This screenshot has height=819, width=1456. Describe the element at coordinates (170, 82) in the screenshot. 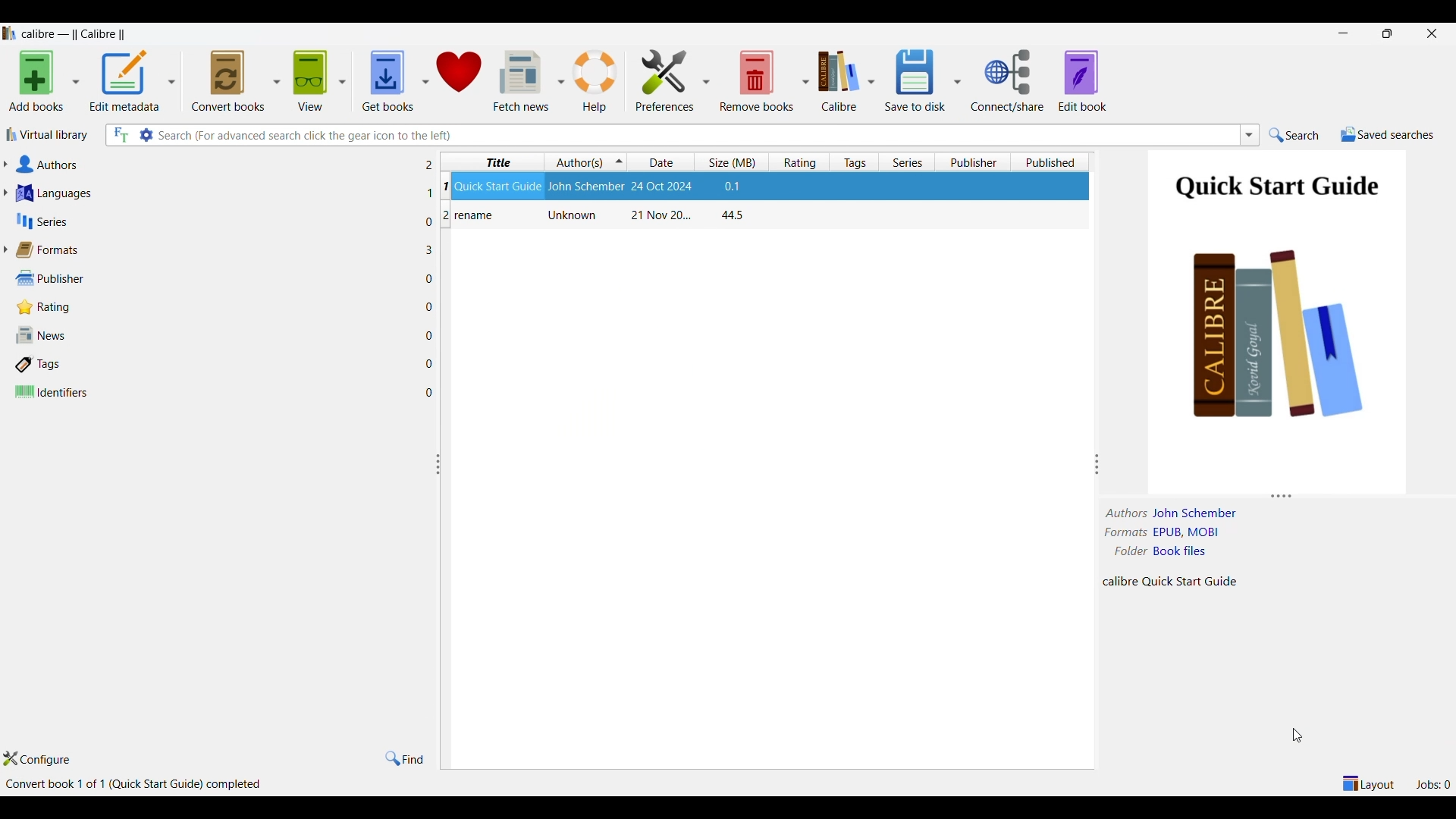

I see `Edit metadata options` at that location.